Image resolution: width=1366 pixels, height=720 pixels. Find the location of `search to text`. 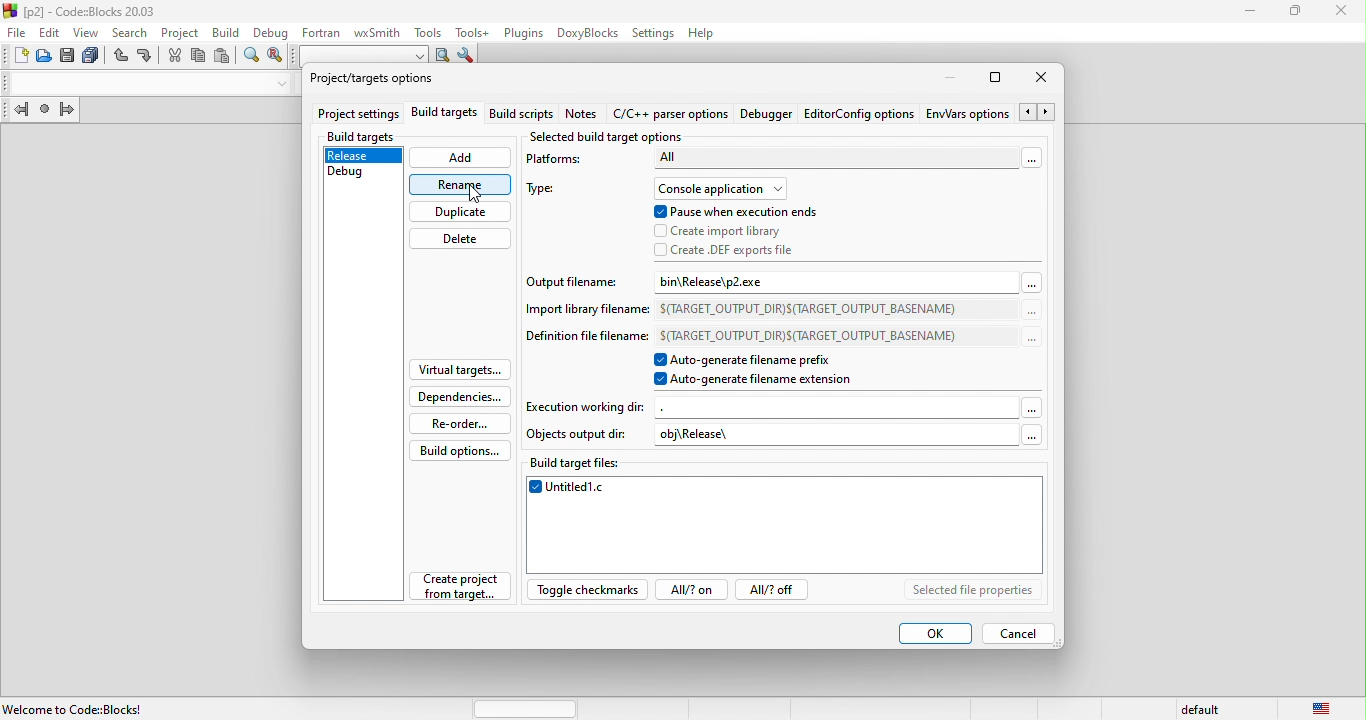

search to text is located at coordinates (361, 54).